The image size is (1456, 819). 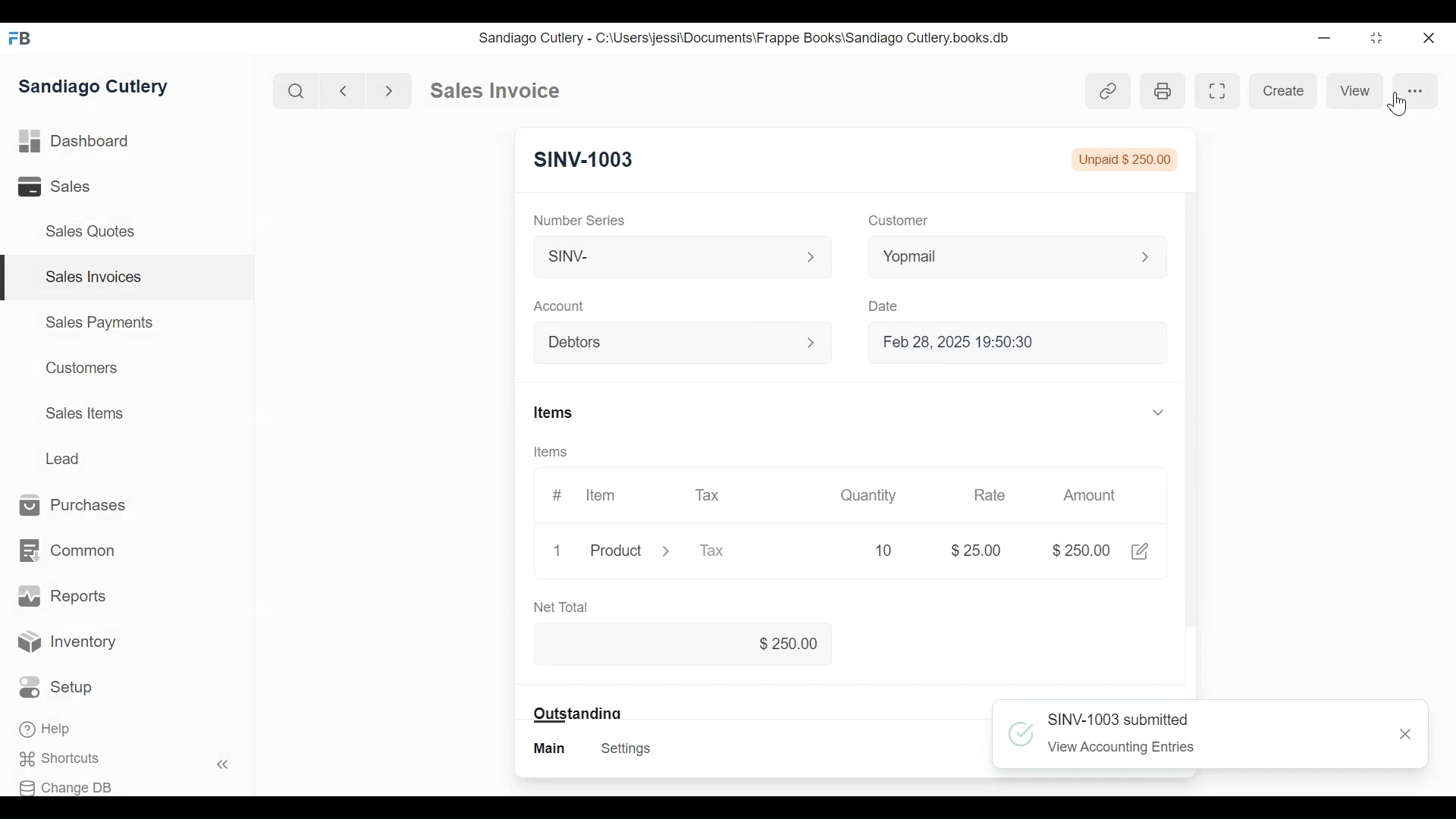 I want to click on Rate, so click(x=990, y=496).